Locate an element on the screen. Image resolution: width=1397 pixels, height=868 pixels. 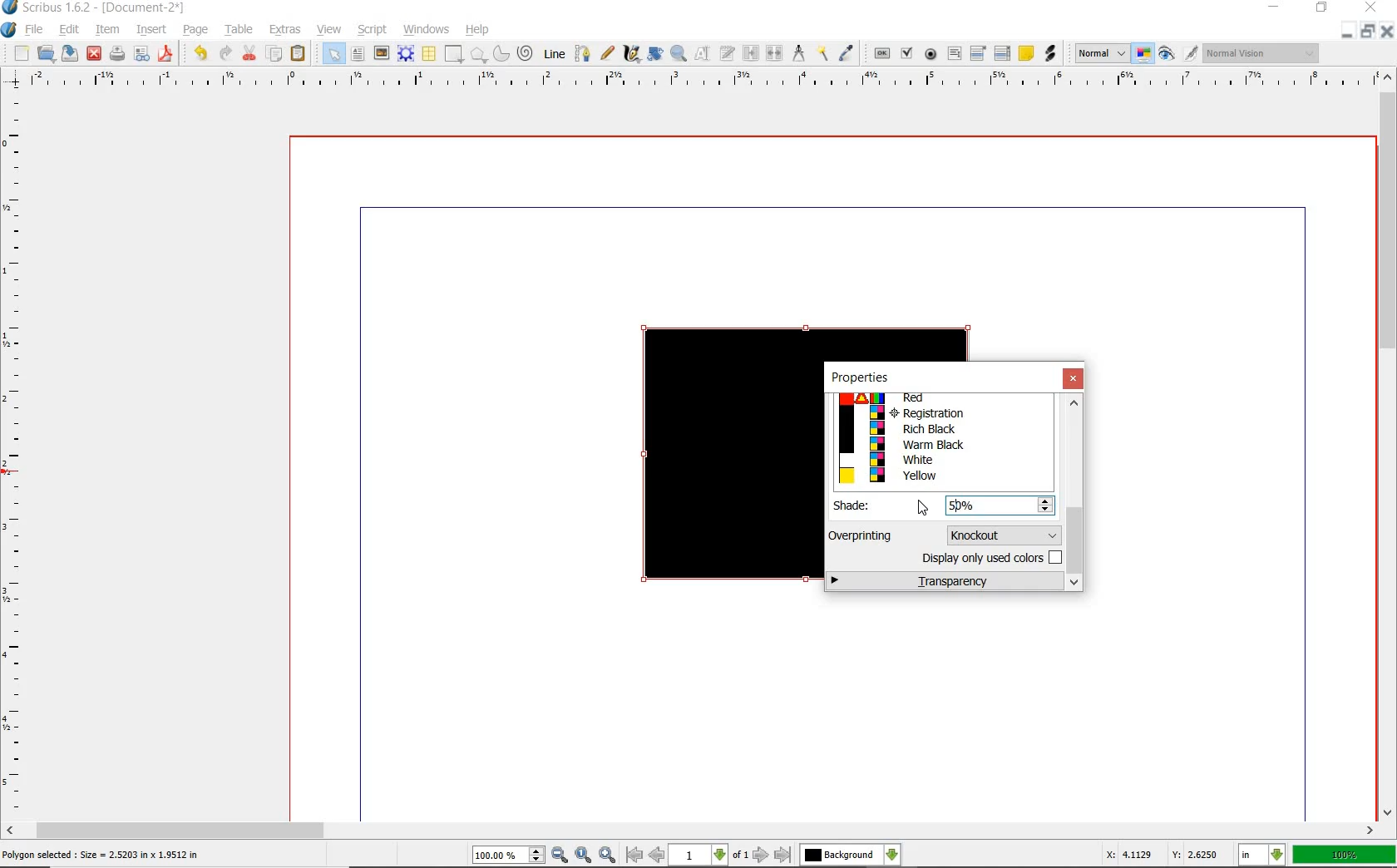
scrollbar is located at coordinates (1075, 494).